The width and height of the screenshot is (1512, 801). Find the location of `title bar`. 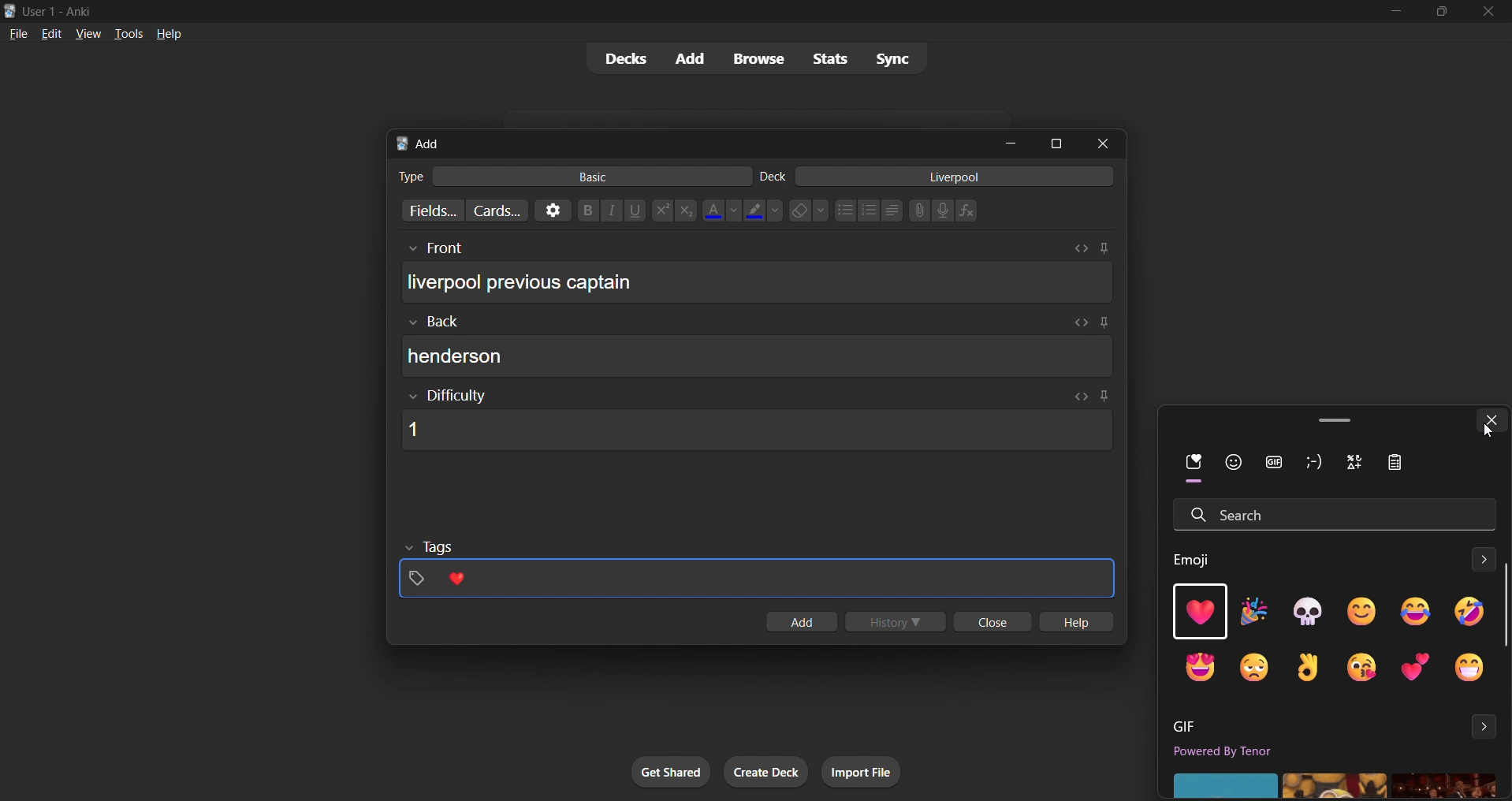

title bar is located at coordinates (681, 9).